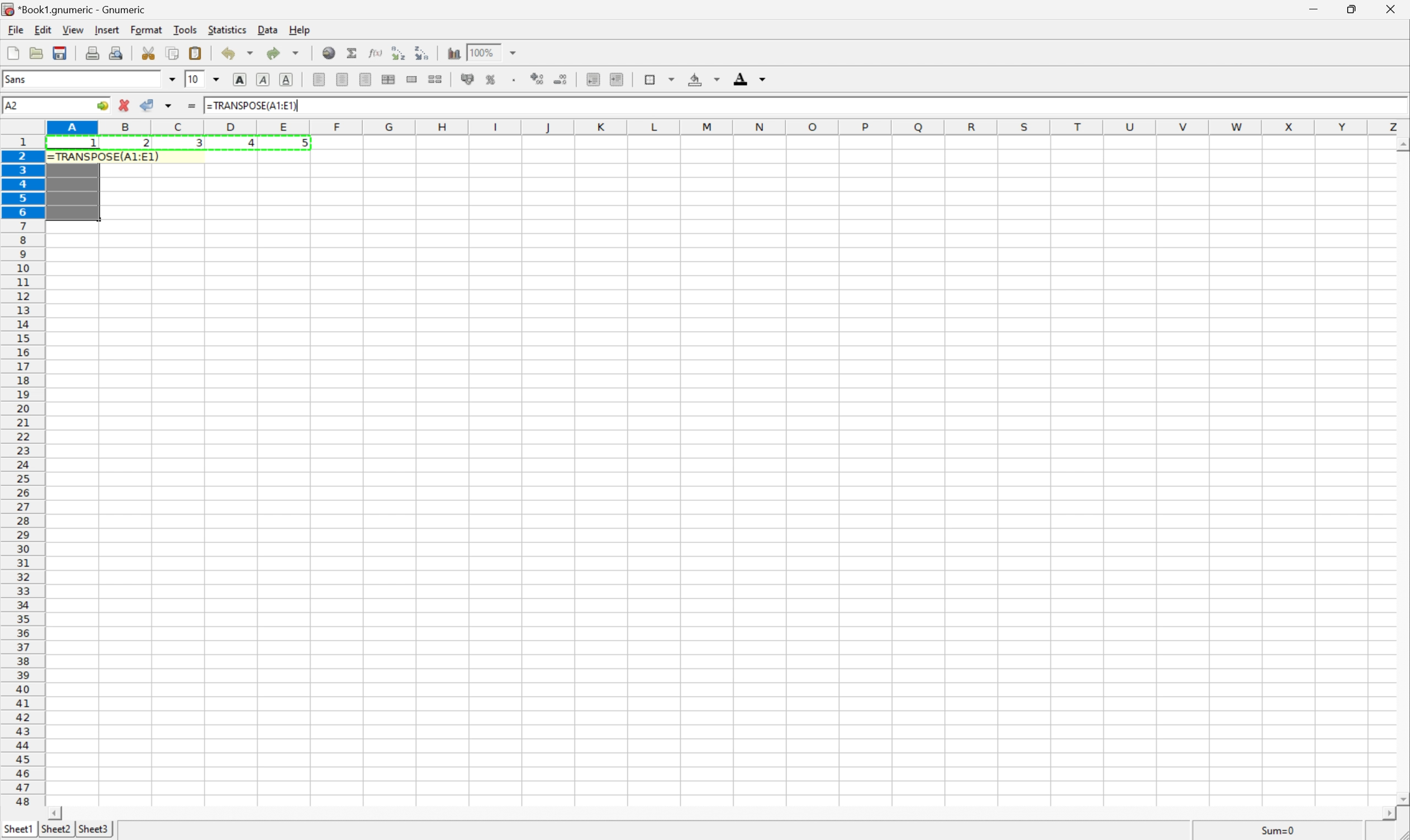 The width and height of the screenshot is (1410, 840). What do you see at coordinates (285, 53) in the screenshot?
I see `redo` at bounding box center [285, 53].